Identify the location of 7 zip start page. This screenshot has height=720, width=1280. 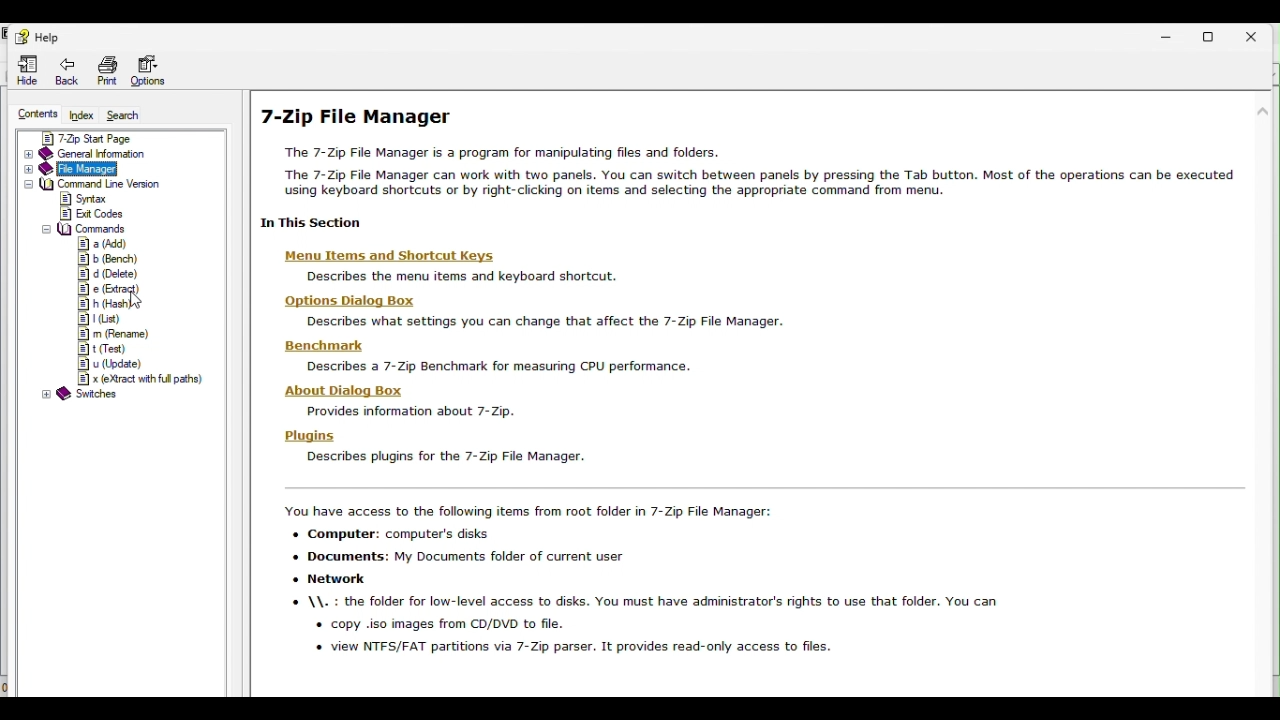
(104, 137).